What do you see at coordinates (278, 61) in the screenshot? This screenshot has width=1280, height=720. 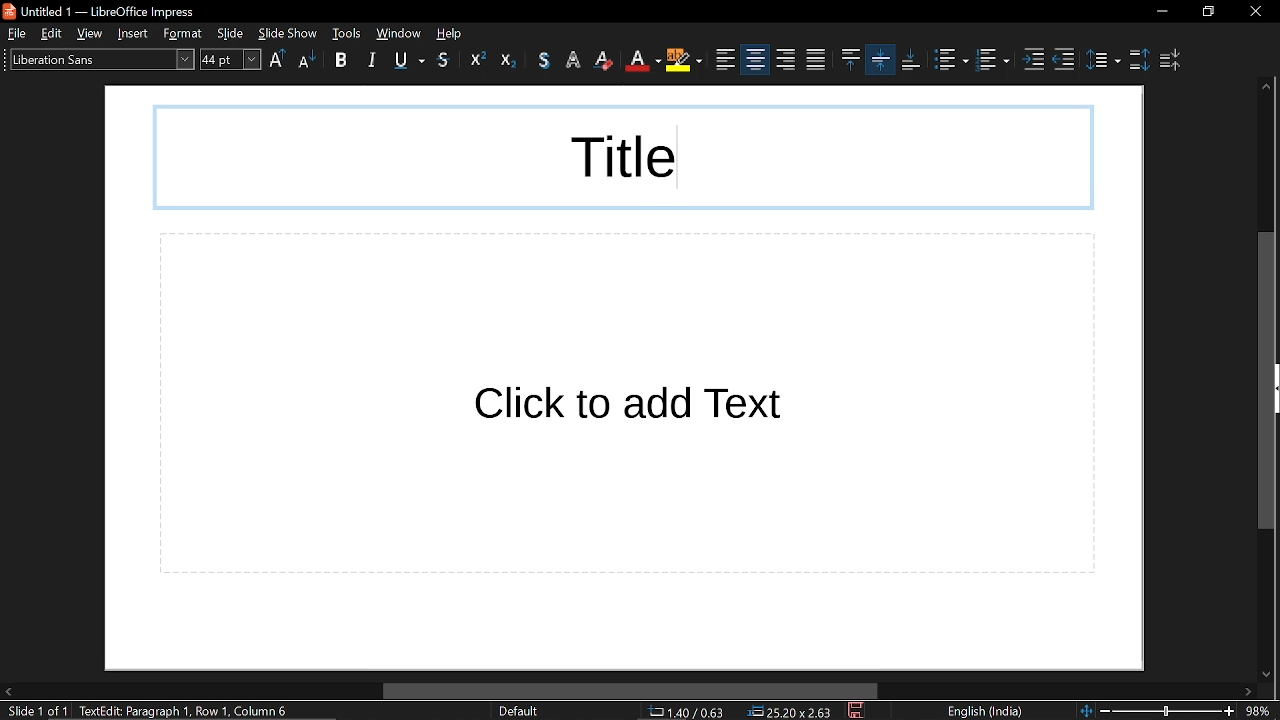 I see `uppercase` at bounding box center [278, 61].